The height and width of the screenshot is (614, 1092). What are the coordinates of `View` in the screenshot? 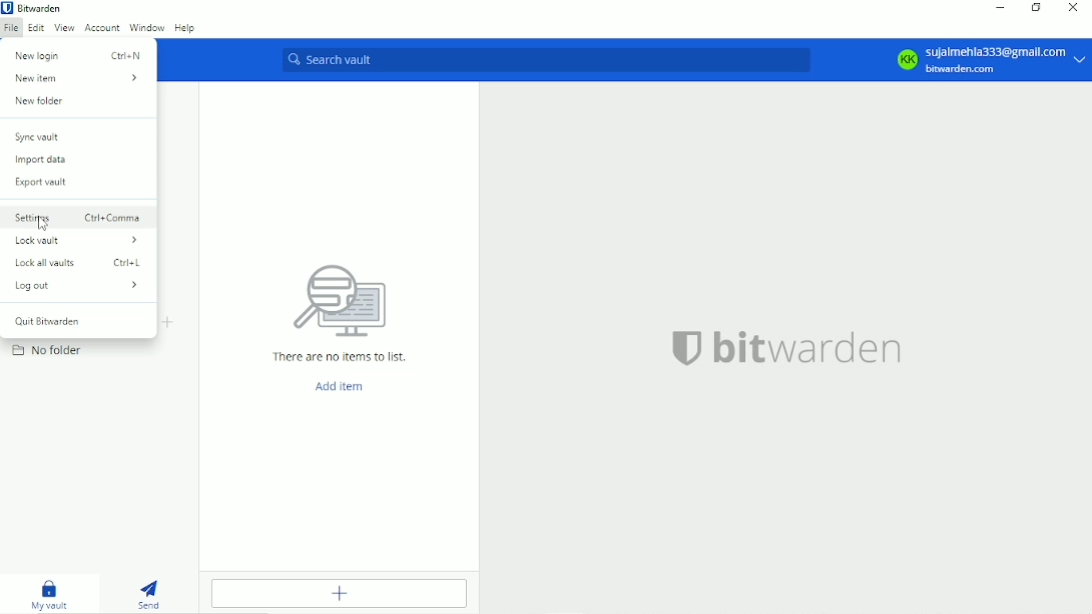 It's located at (64, 29).